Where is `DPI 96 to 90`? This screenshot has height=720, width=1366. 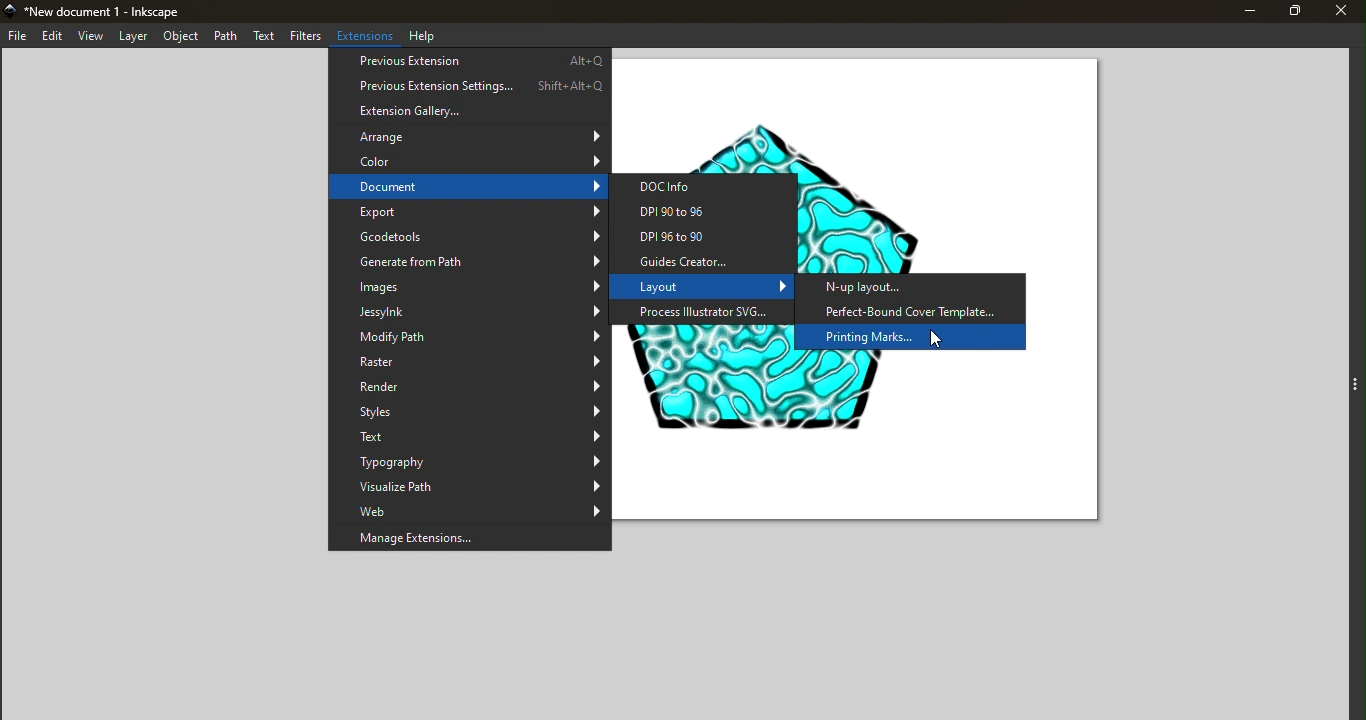
DPI 96 to 90 is located at coordinates (709, 237).